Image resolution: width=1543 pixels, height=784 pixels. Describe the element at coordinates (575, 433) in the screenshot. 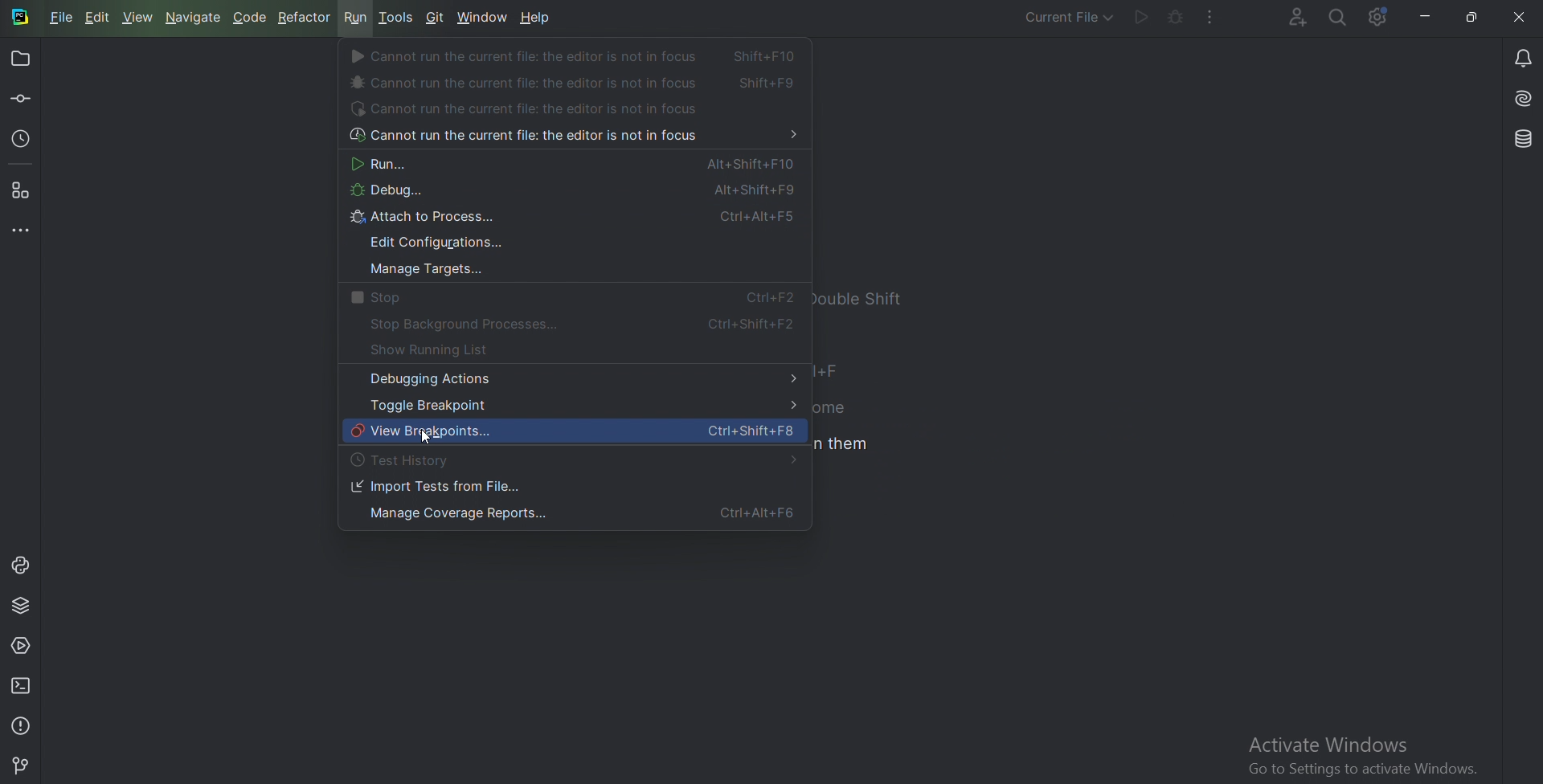

I see `view breakpoints` at that location.